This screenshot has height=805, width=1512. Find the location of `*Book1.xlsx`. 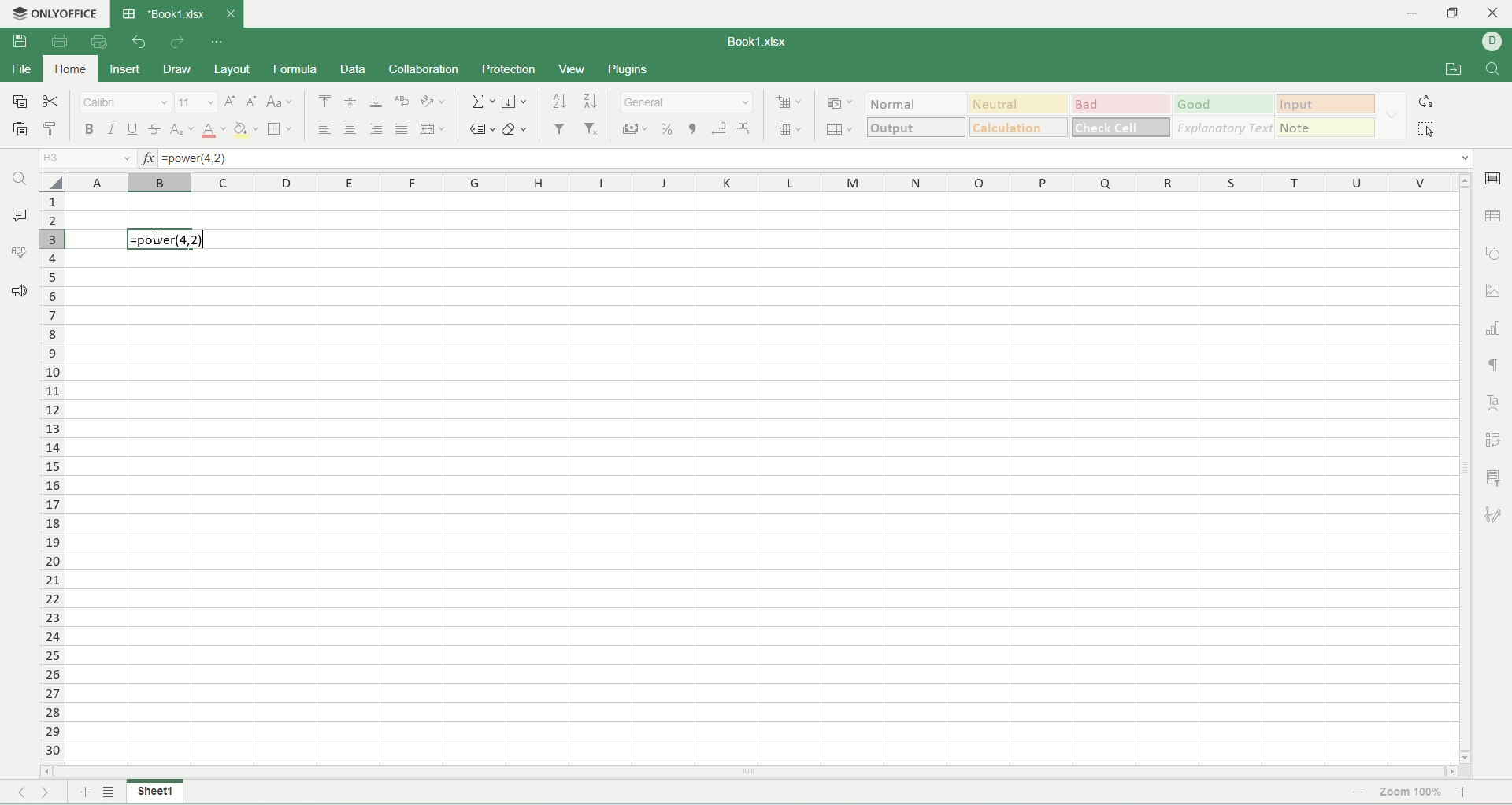

*Book1.xlsx is located at coordinates (176, 13).